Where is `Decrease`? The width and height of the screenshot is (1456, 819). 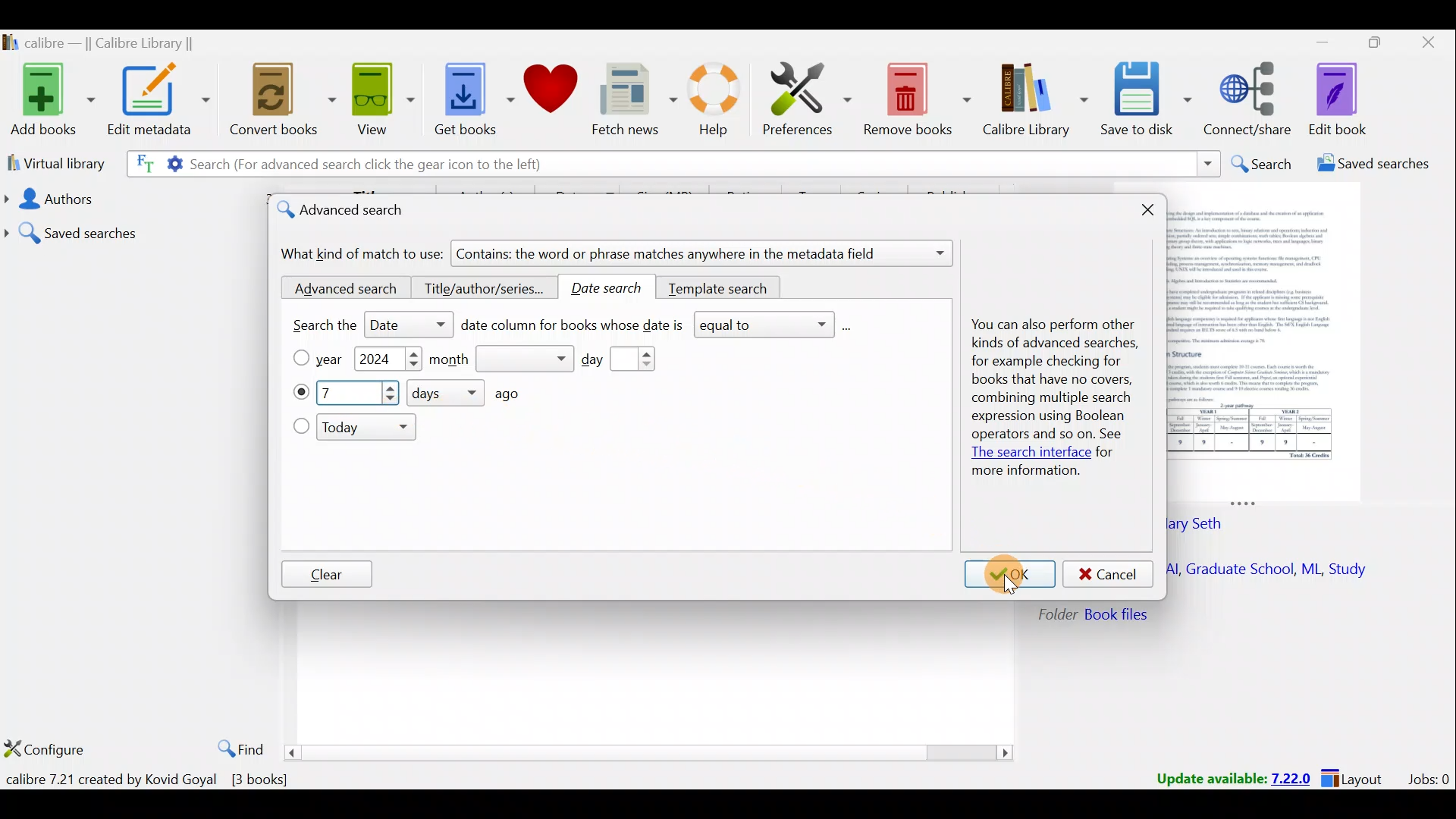 Decrease is located at coordinates (390, 402).